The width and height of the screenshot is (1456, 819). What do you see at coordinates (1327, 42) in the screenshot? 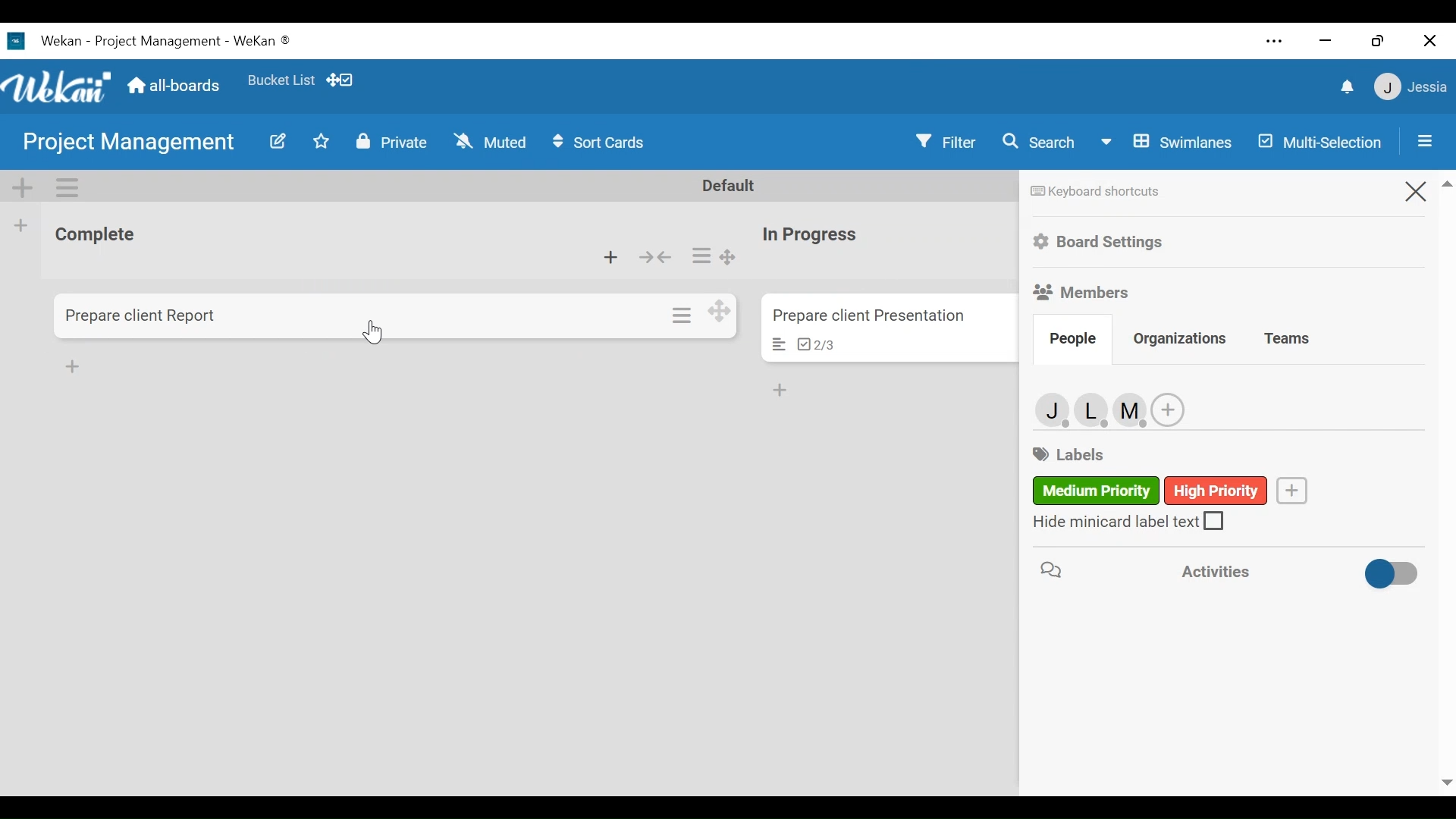
I see `minimize` at bounding box center [1327, 42].